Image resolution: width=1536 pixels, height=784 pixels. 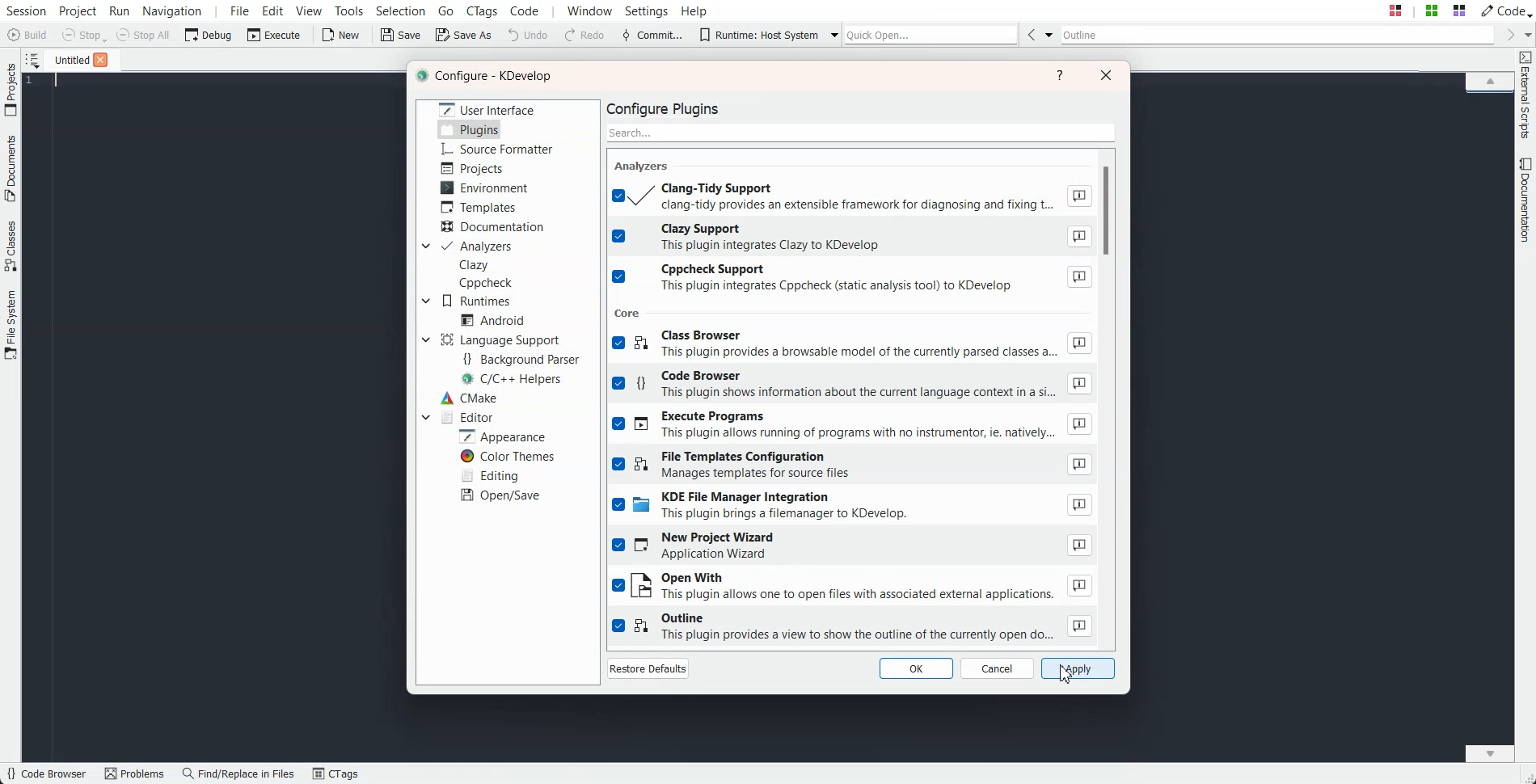 I want to click on New, so click(x=340, y=35).